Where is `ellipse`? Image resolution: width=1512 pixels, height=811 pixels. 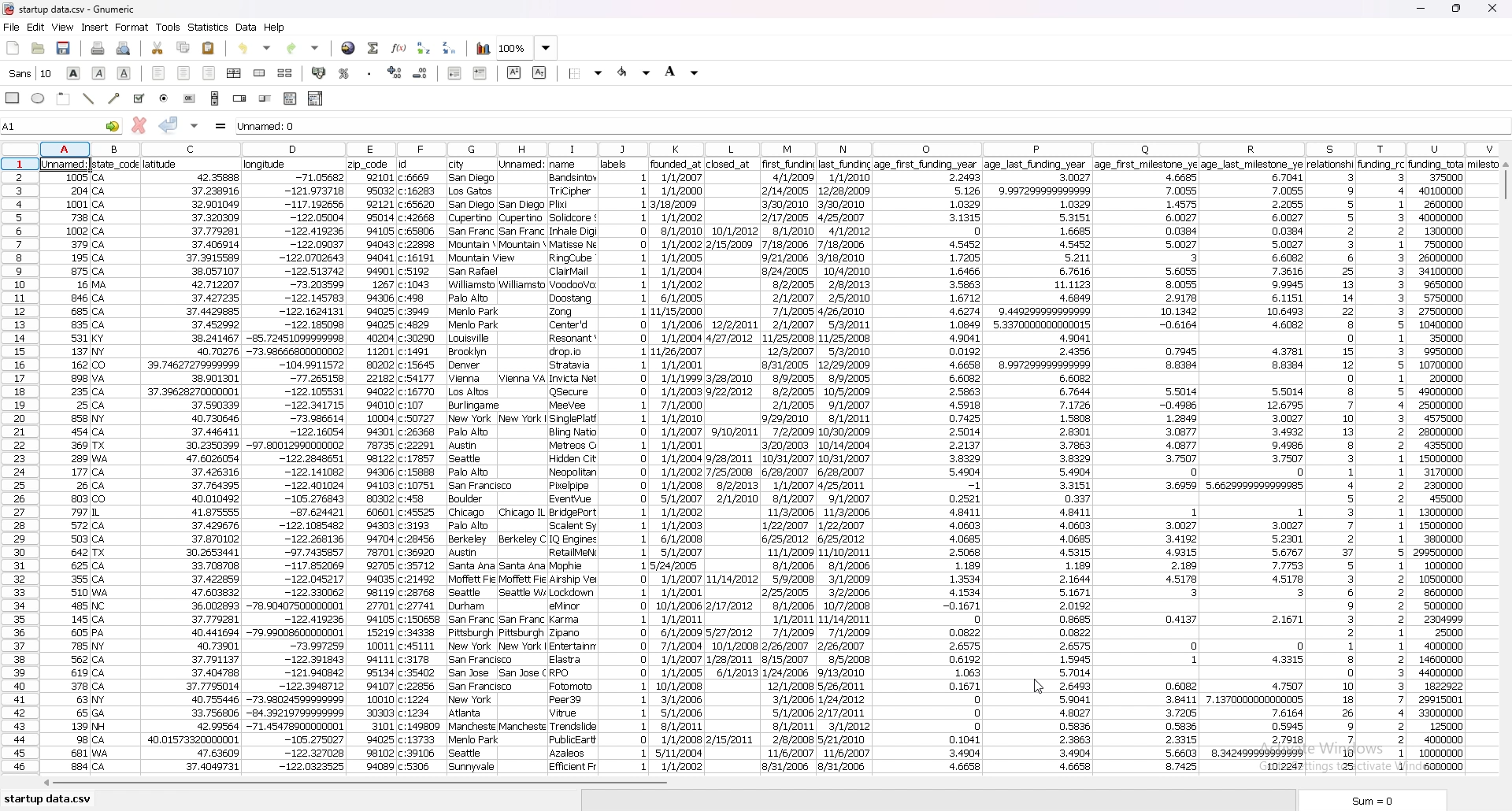 ellipse is located at coordinates (39, 99).